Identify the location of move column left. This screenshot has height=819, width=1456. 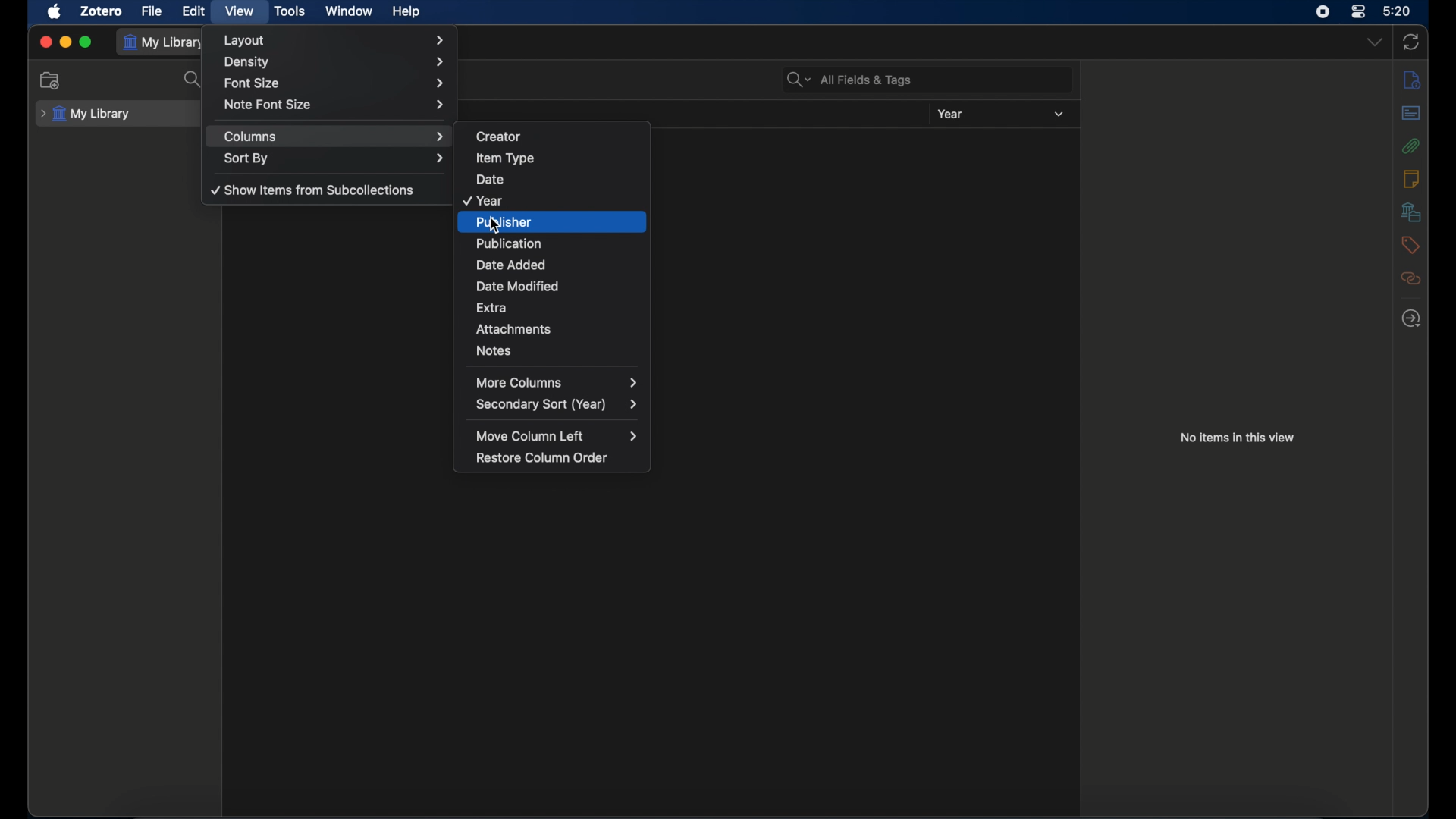
(555, 435).